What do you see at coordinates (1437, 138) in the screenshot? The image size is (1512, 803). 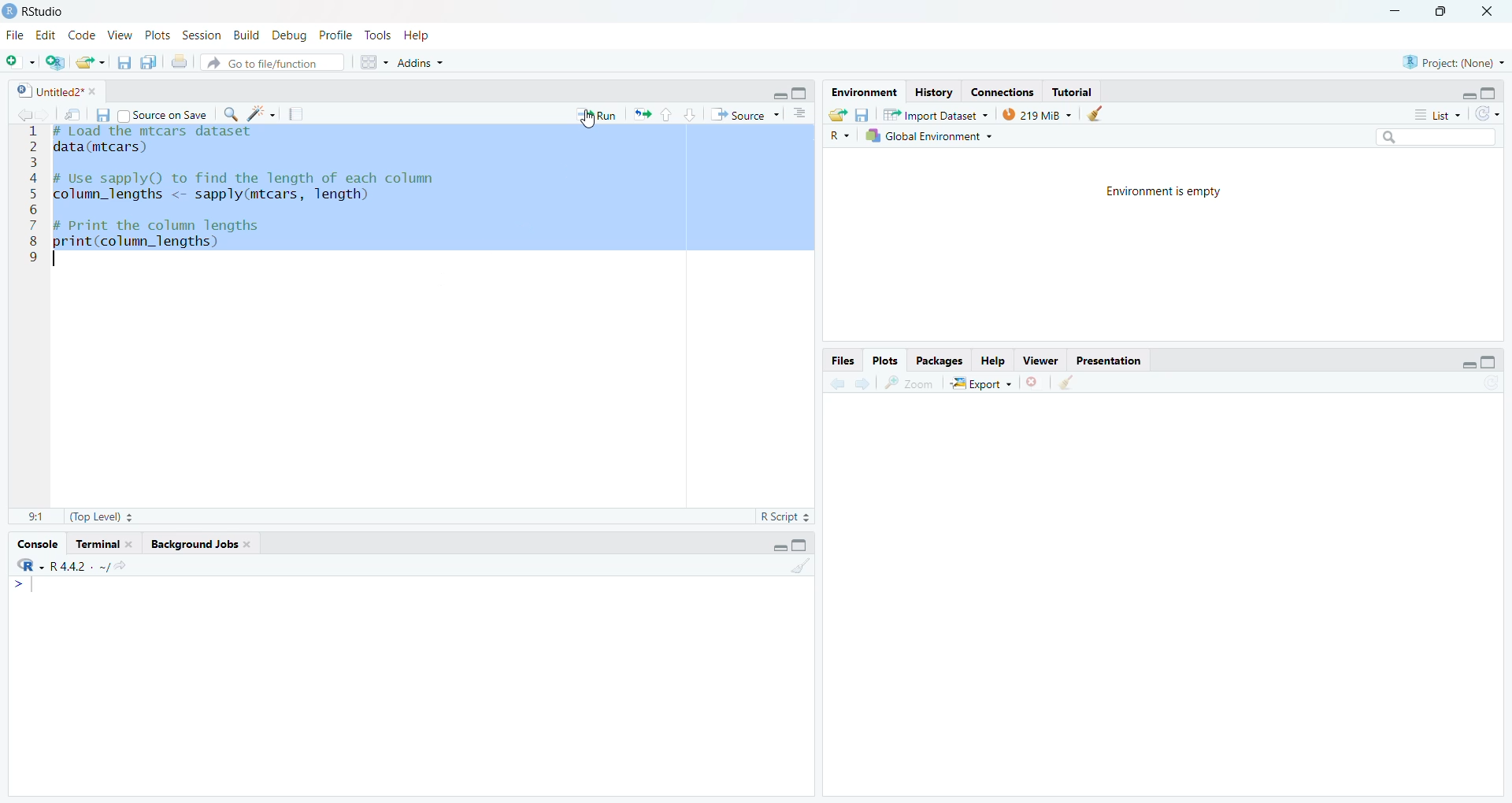 I see `Search` at bounding box center [1437, 138].